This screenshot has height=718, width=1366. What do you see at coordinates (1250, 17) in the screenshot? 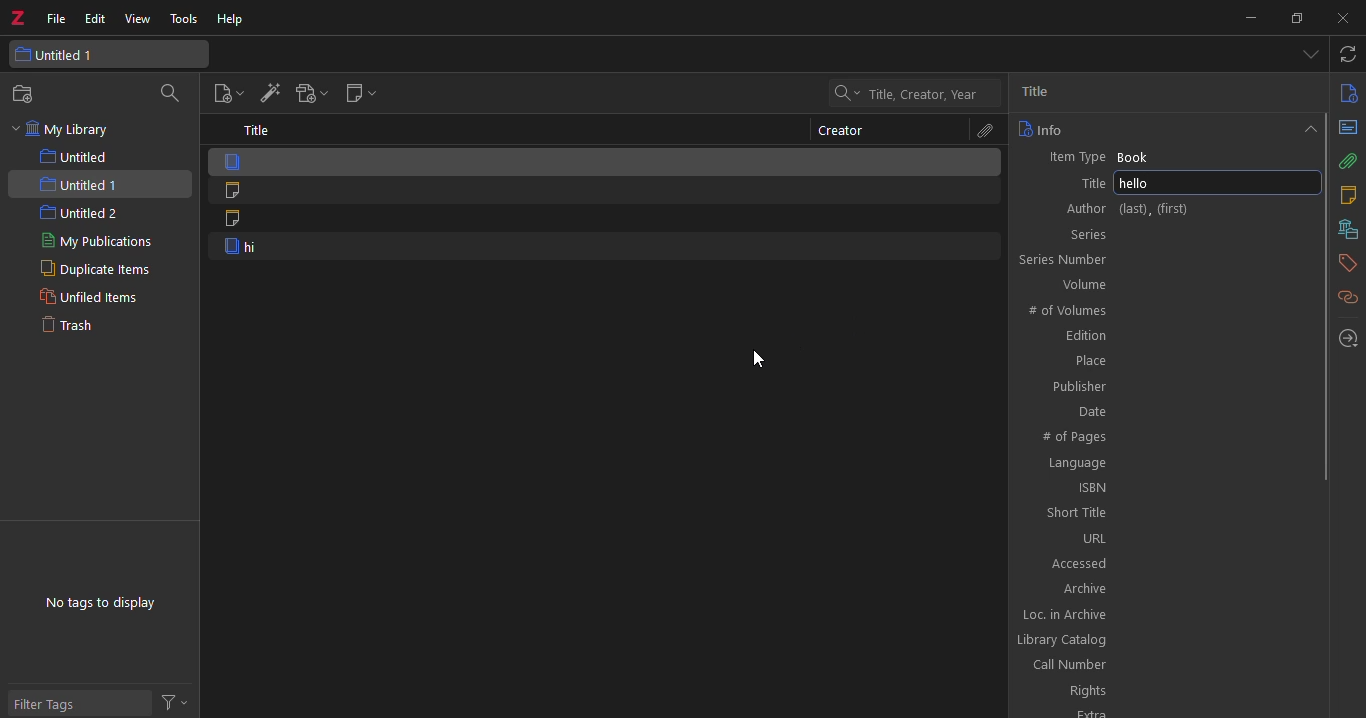
I see `minimize` at bounding box center [1250, 17].